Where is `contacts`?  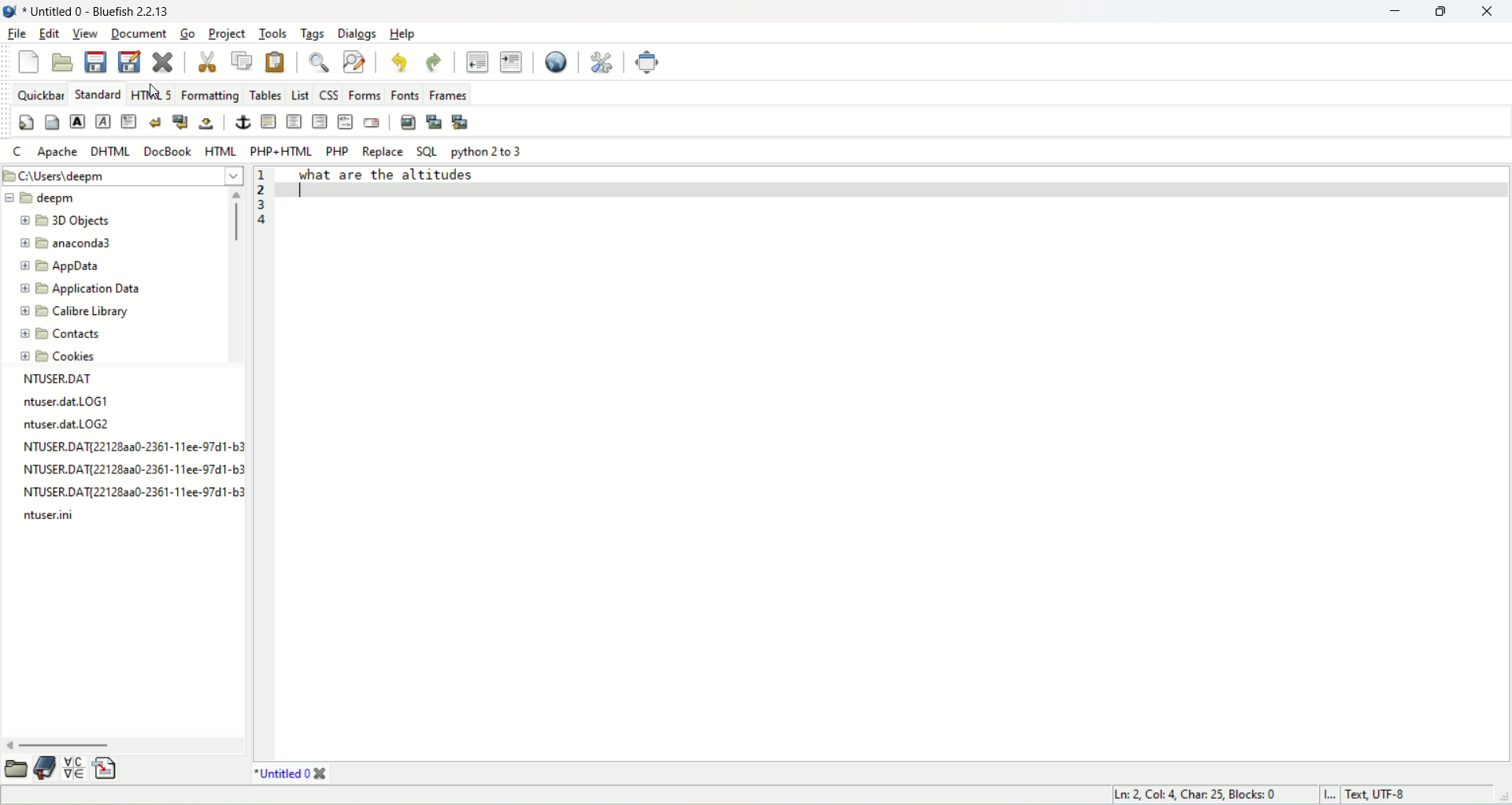 contacts is located at coordinates (65, 333).